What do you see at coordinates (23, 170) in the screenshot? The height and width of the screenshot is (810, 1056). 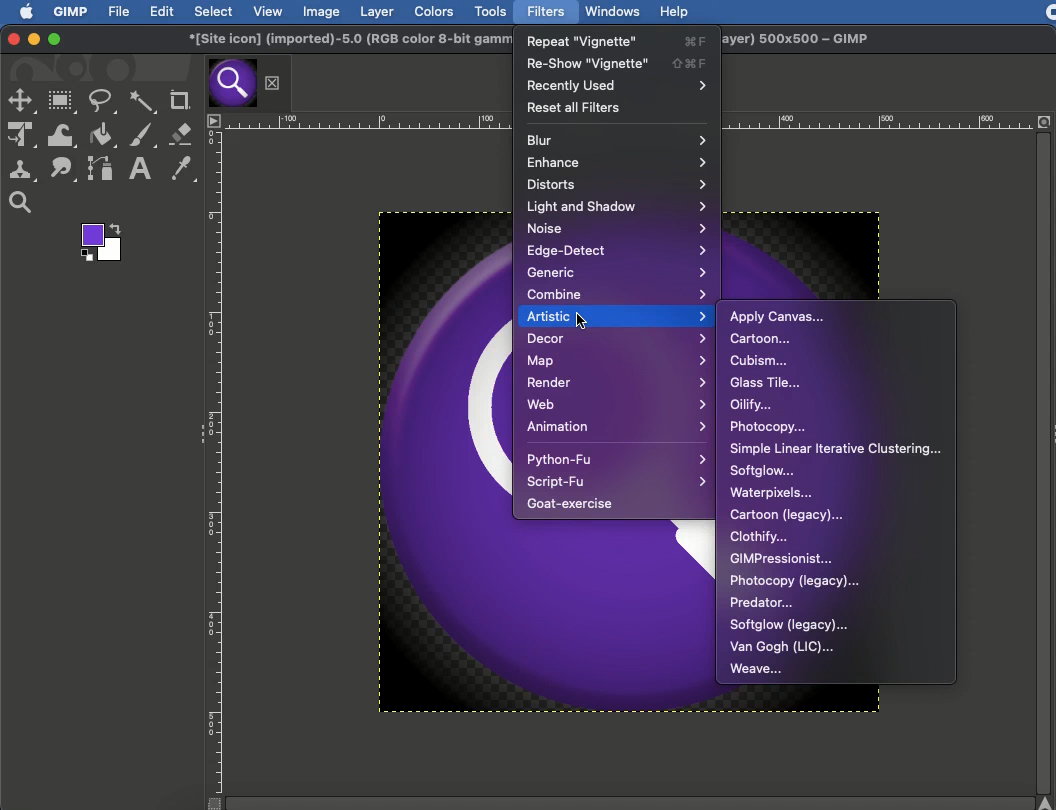 I see `Clone` at bounding box center [23, 170].